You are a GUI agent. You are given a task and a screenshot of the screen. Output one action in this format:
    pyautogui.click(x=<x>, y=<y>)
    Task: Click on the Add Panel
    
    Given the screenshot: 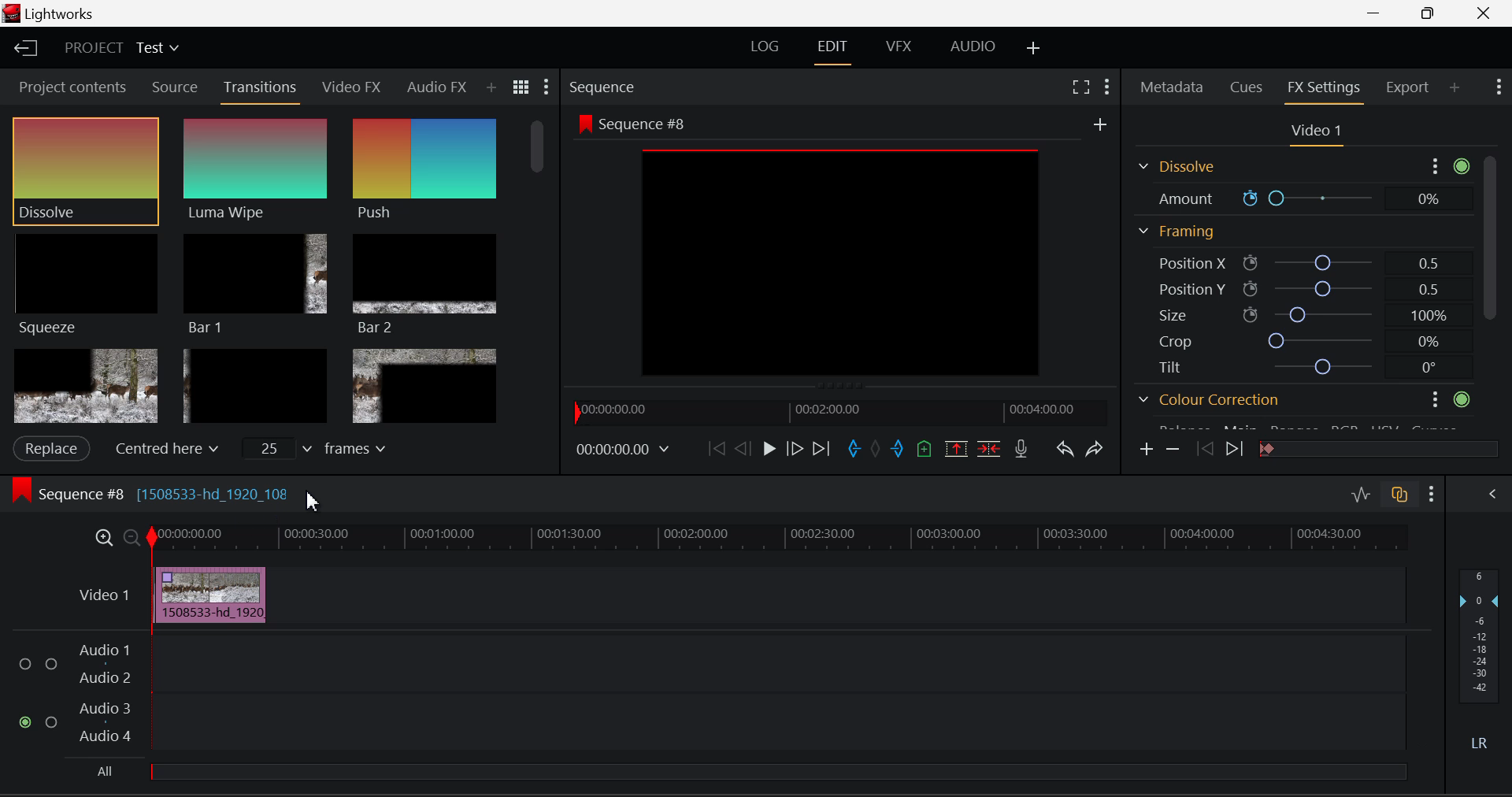 What is the action you would take?
    pyautogui.click(x=1454, y=85)
    